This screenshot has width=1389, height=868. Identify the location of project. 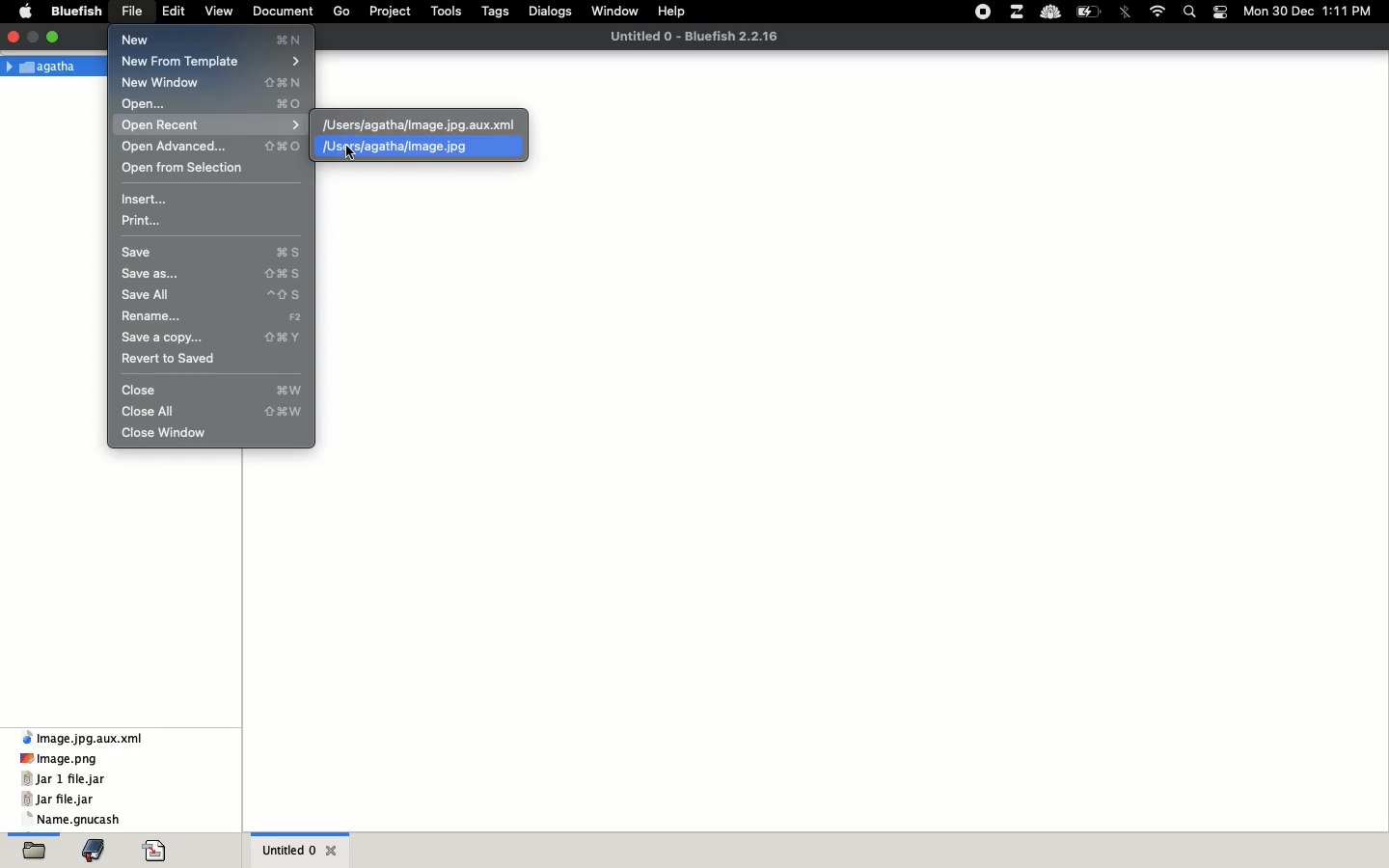
(390, 12).